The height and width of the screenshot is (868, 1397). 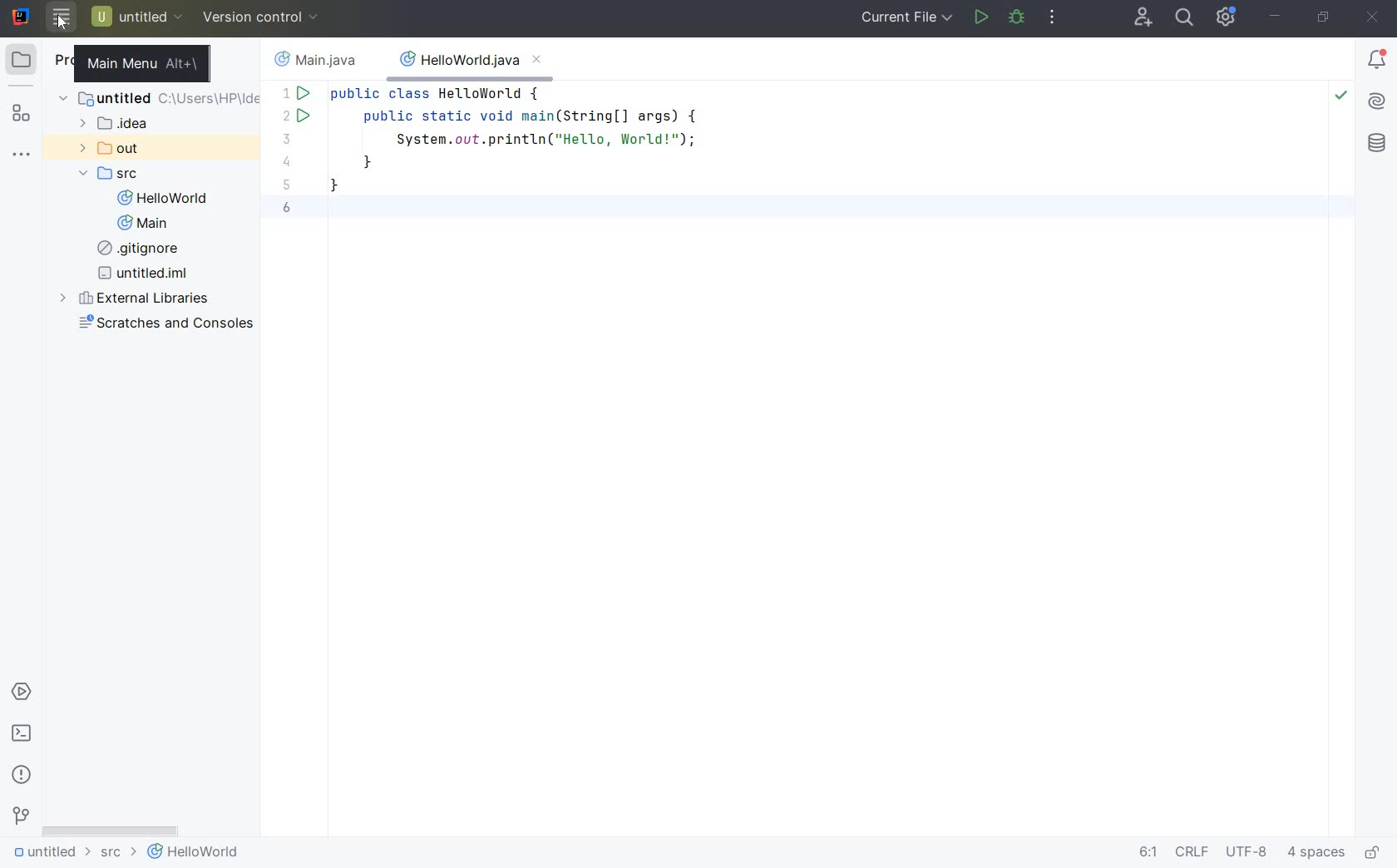 What do you see at coordinates (138, 16) in the screenshot?
I see `untitled project file` at bounding box center [138, 16].